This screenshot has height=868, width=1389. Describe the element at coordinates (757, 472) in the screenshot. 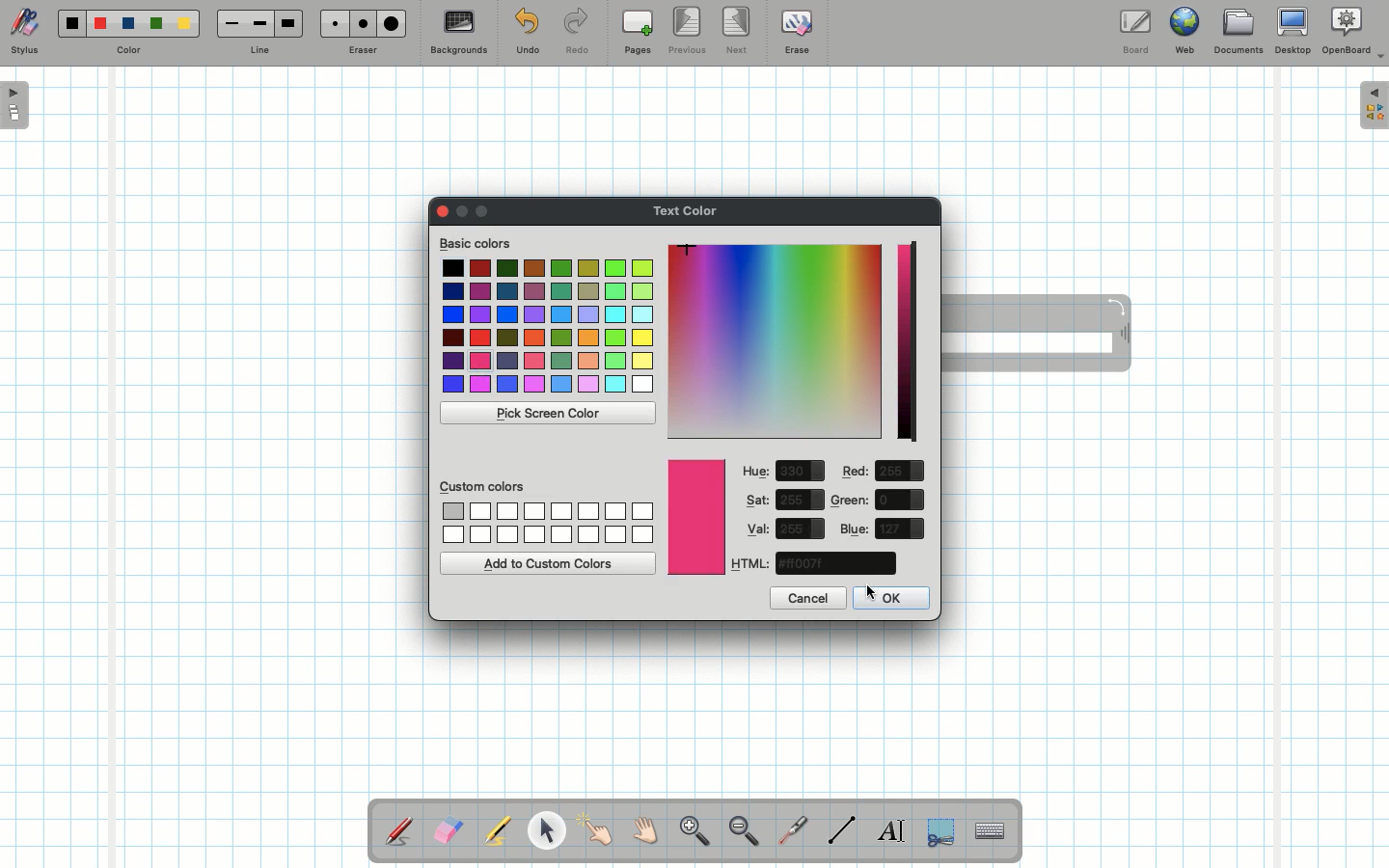

I see `Hue` at that location.